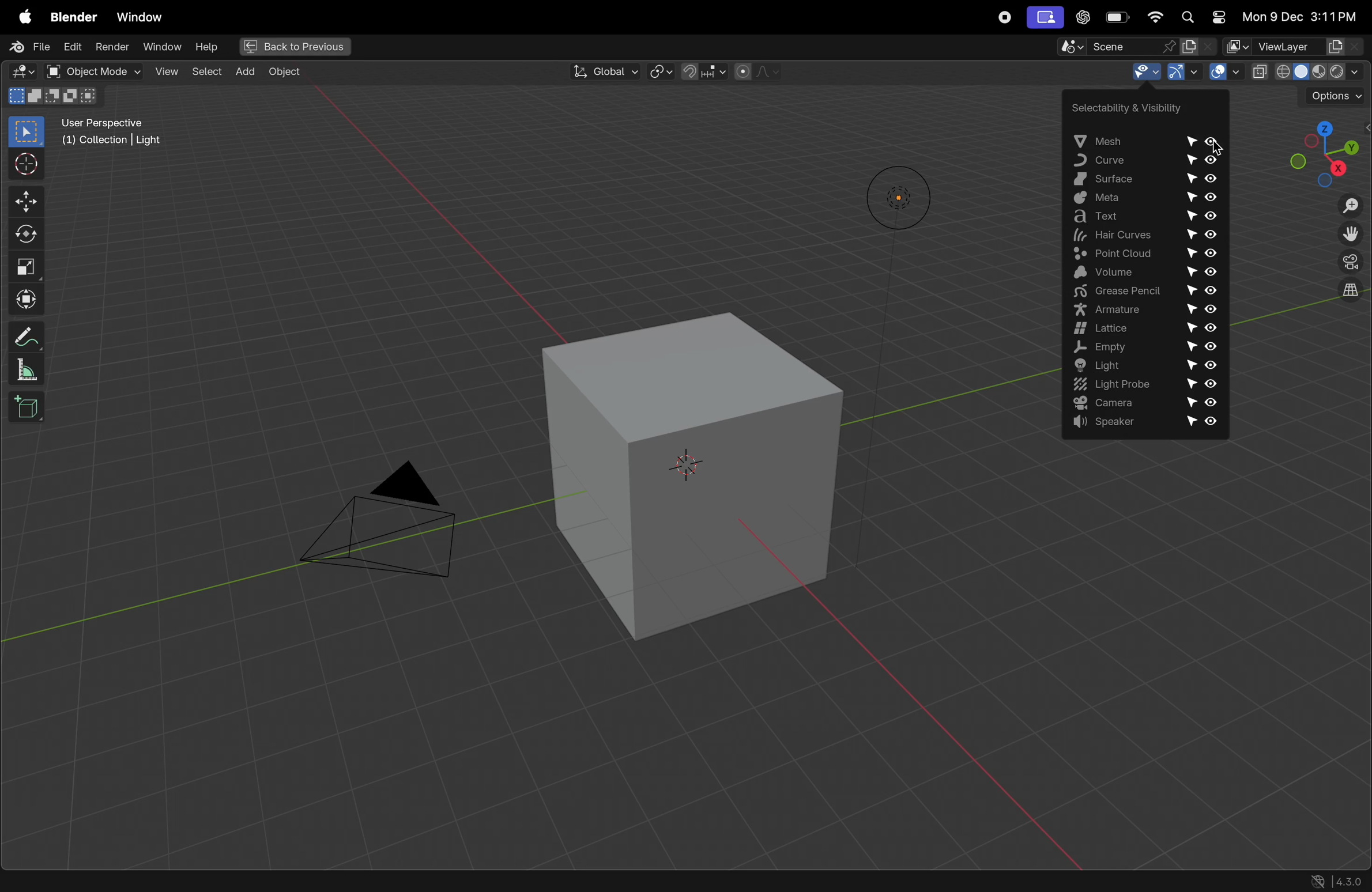 This screenshot has width=1372, height=892. What do you see at coordinates (1225, 73) in the screenshot?
I see `overlays` at bounding box center [1225, 73].